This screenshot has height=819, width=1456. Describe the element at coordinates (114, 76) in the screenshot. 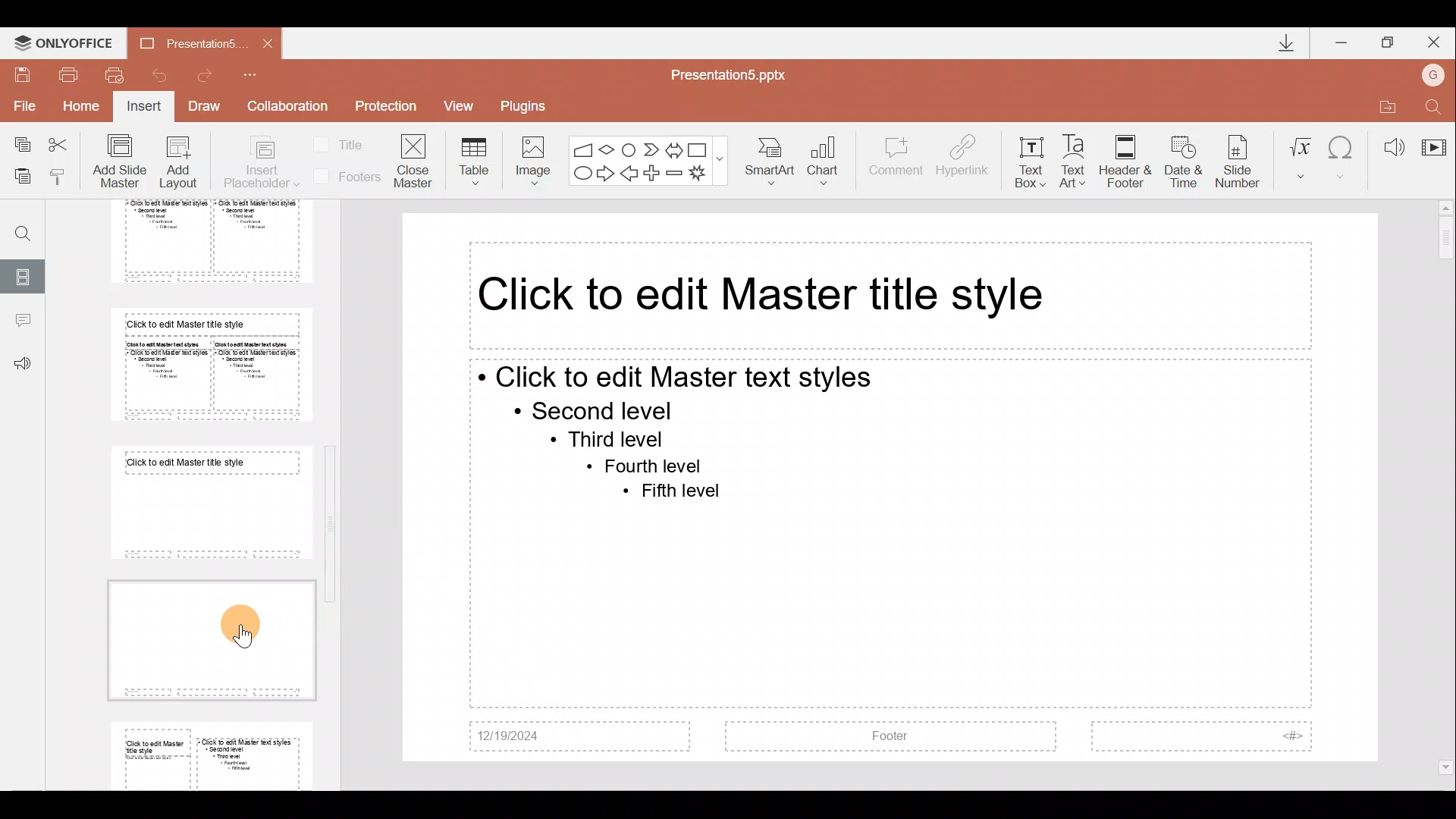

I see `Quick print` at that location.